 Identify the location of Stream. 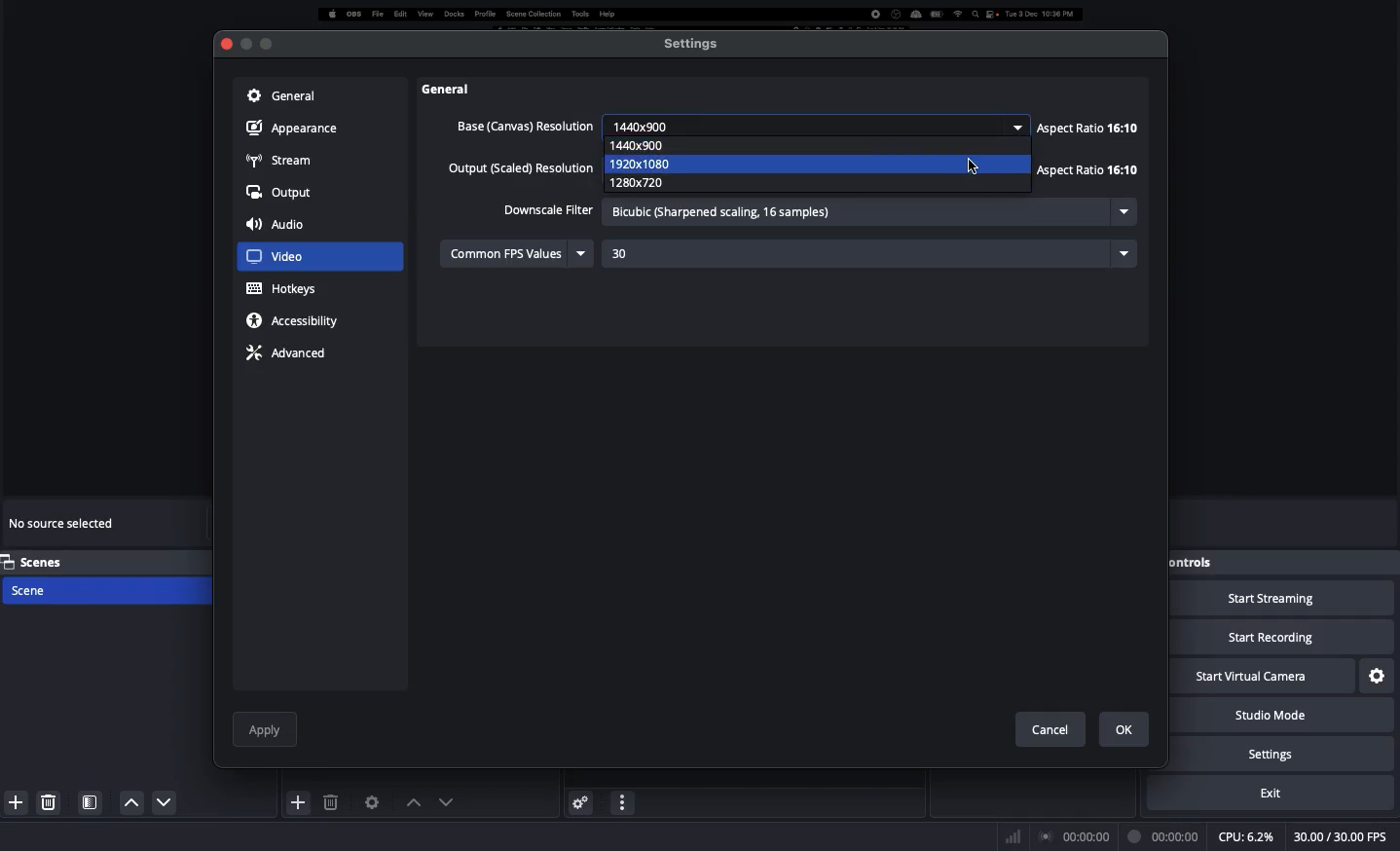
(279, 159).